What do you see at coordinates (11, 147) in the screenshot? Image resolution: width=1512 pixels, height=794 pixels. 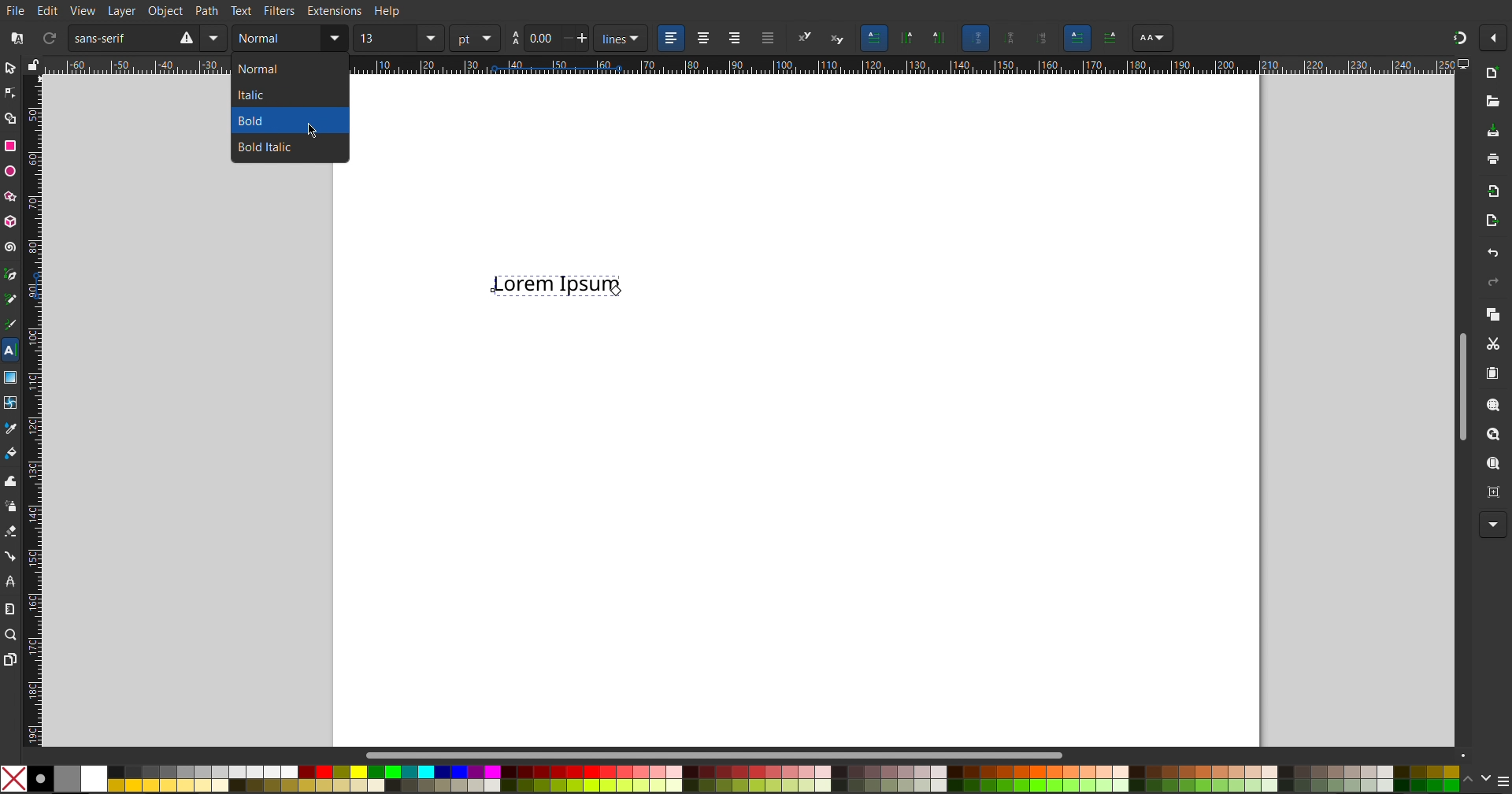 I see `Rectangle Tool` at bounding box center [11, 147].